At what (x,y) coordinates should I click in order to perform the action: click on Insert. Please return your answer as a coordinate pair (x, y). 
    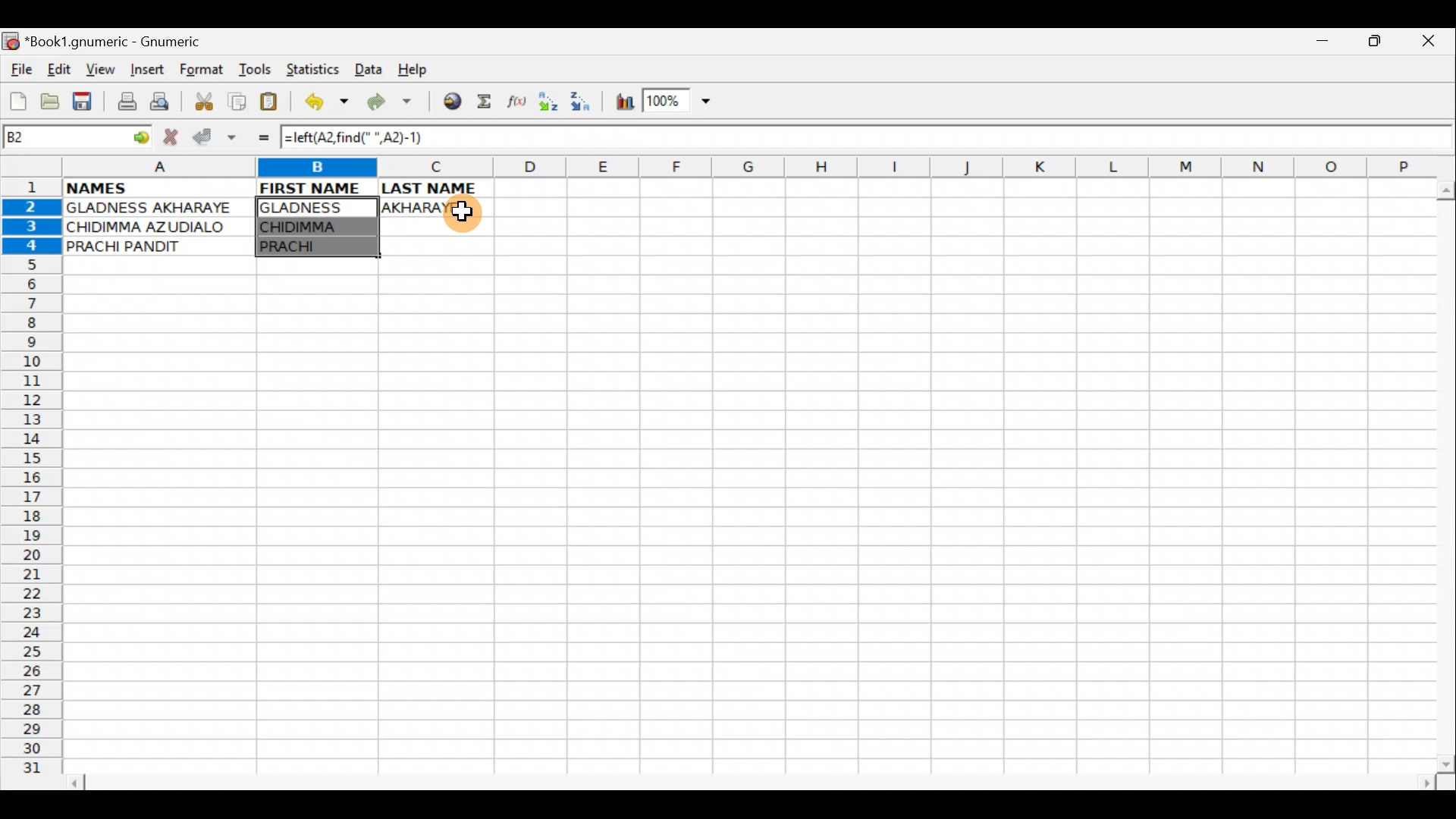
    Looking at the image, I should click on (146, 70).